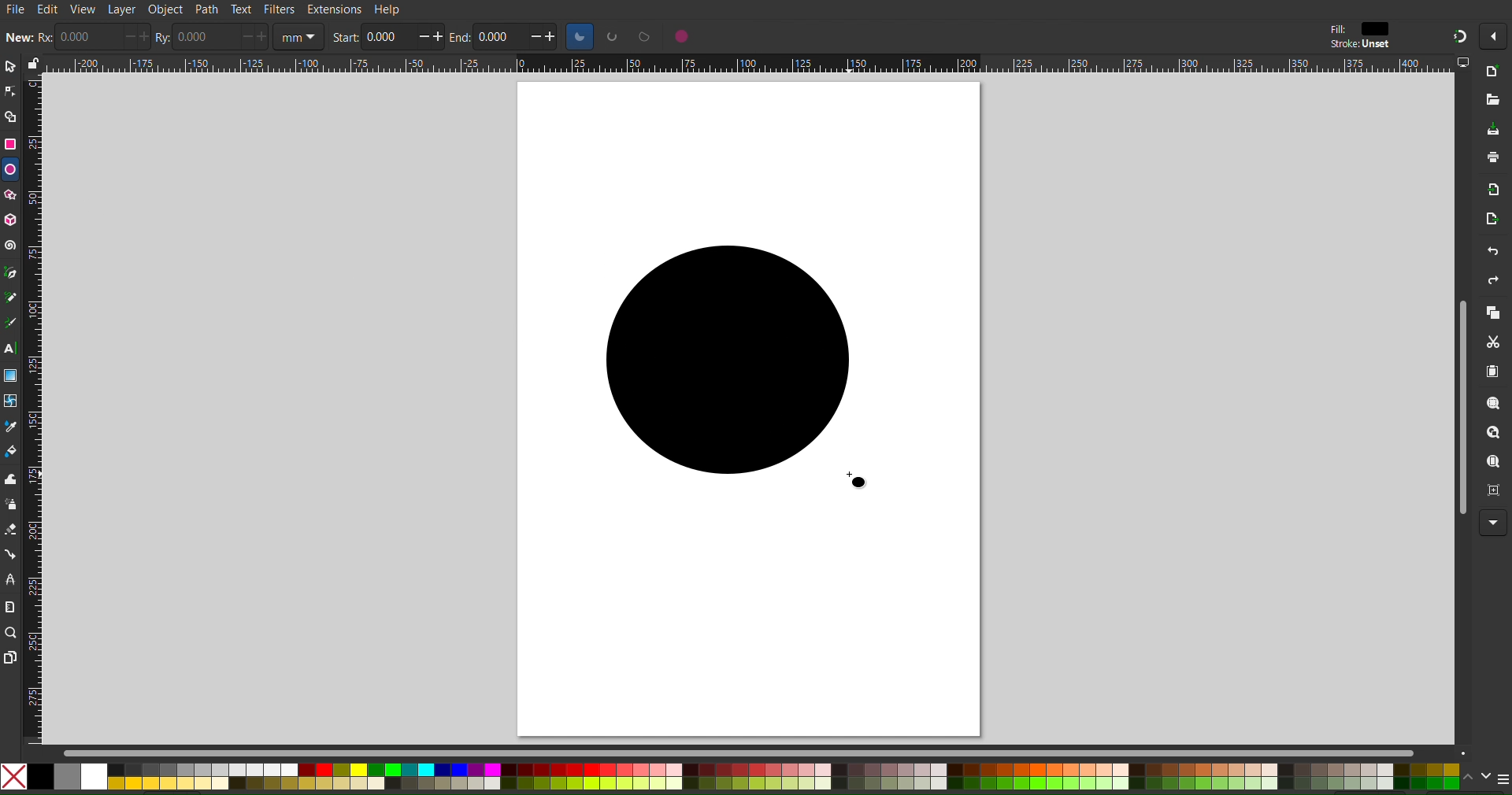  What do you see at coordinates (1492, 159) in the screenshot?
I see `Print` at bounding box center [1492, 159].